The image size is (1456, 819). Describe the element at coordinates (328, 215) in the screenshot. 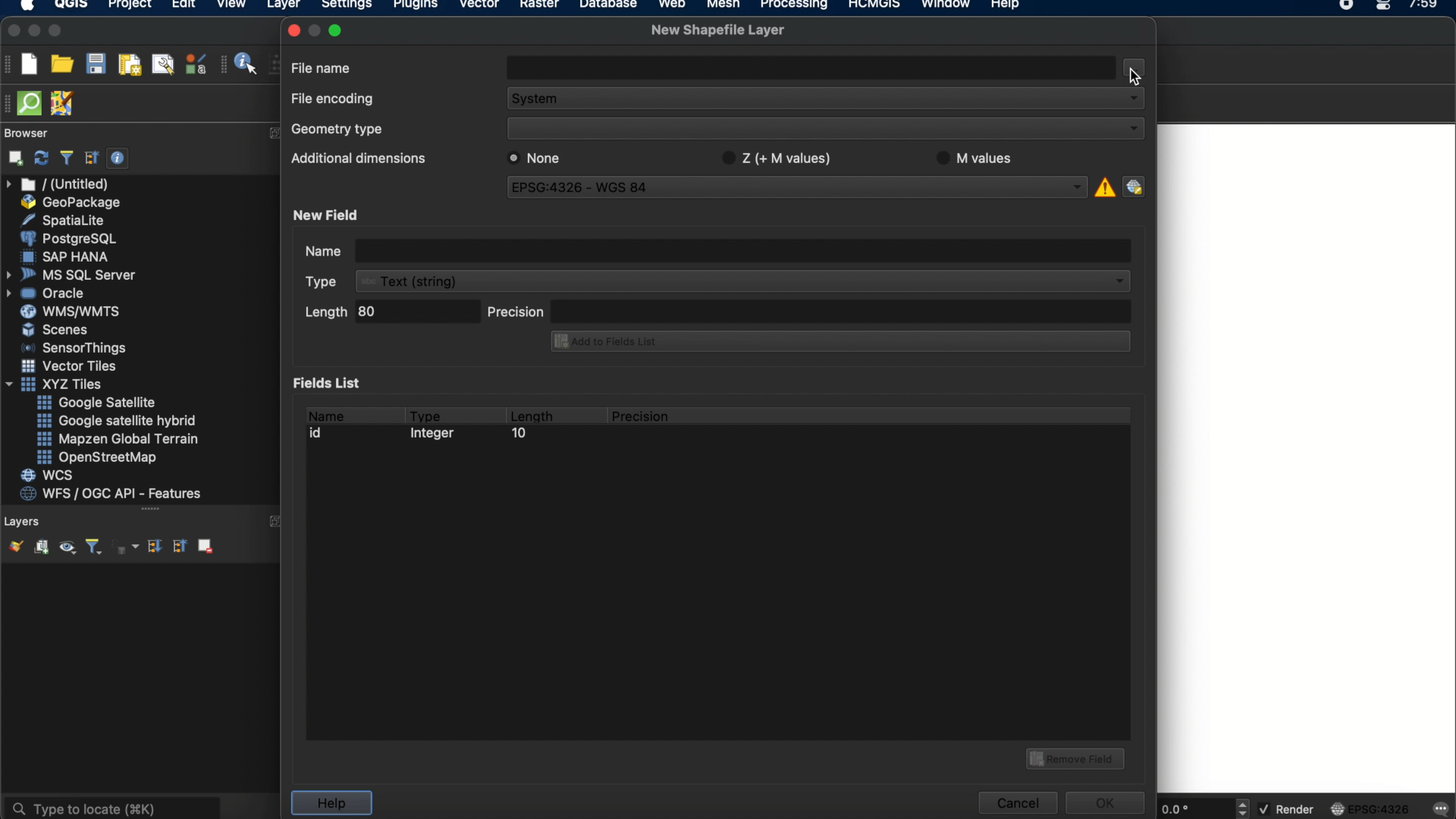

I see `new field` at that location.